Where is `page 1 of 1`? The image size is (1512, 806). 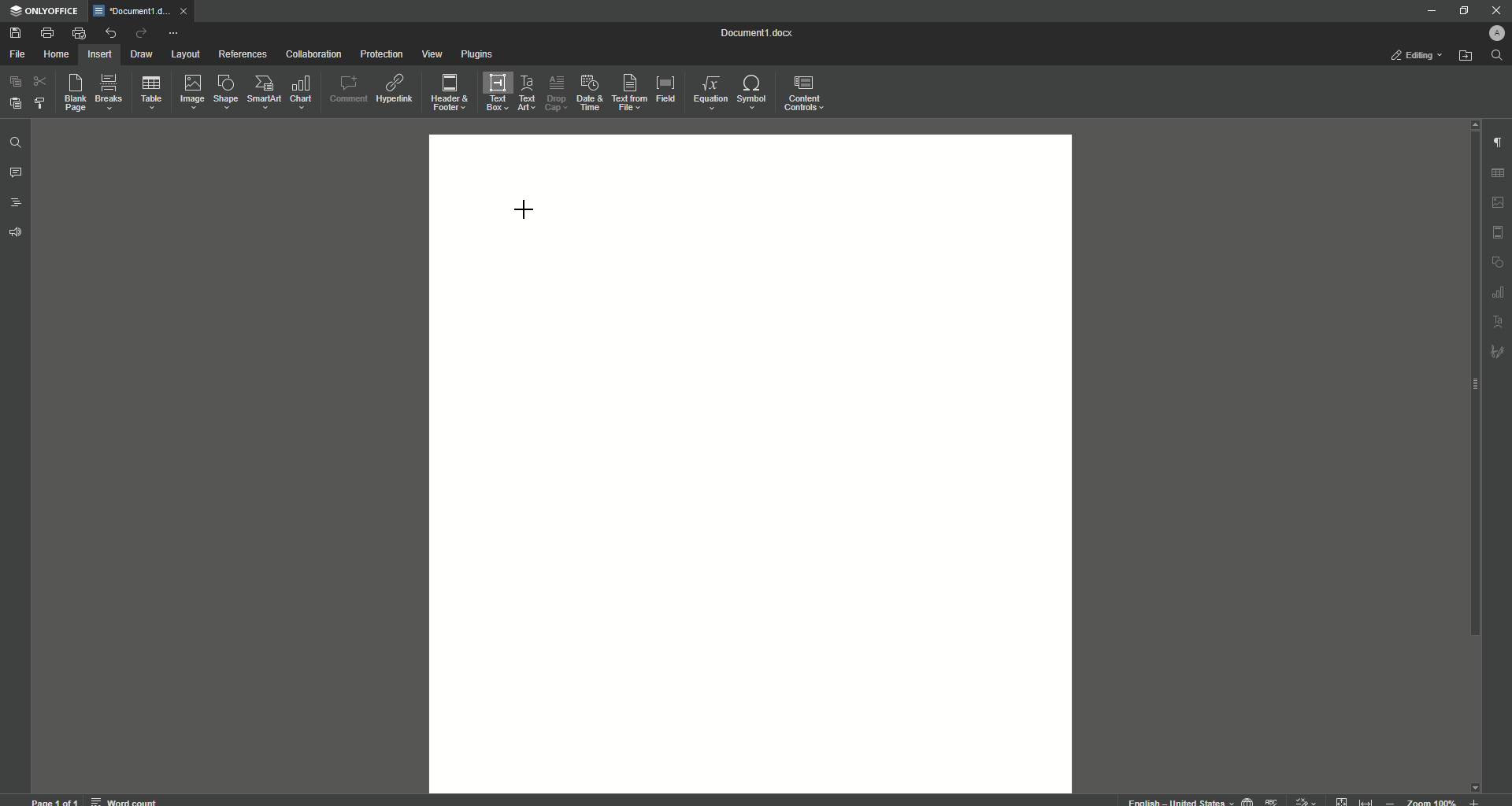 page 1 of 1 is located at coordinates (55, 800).